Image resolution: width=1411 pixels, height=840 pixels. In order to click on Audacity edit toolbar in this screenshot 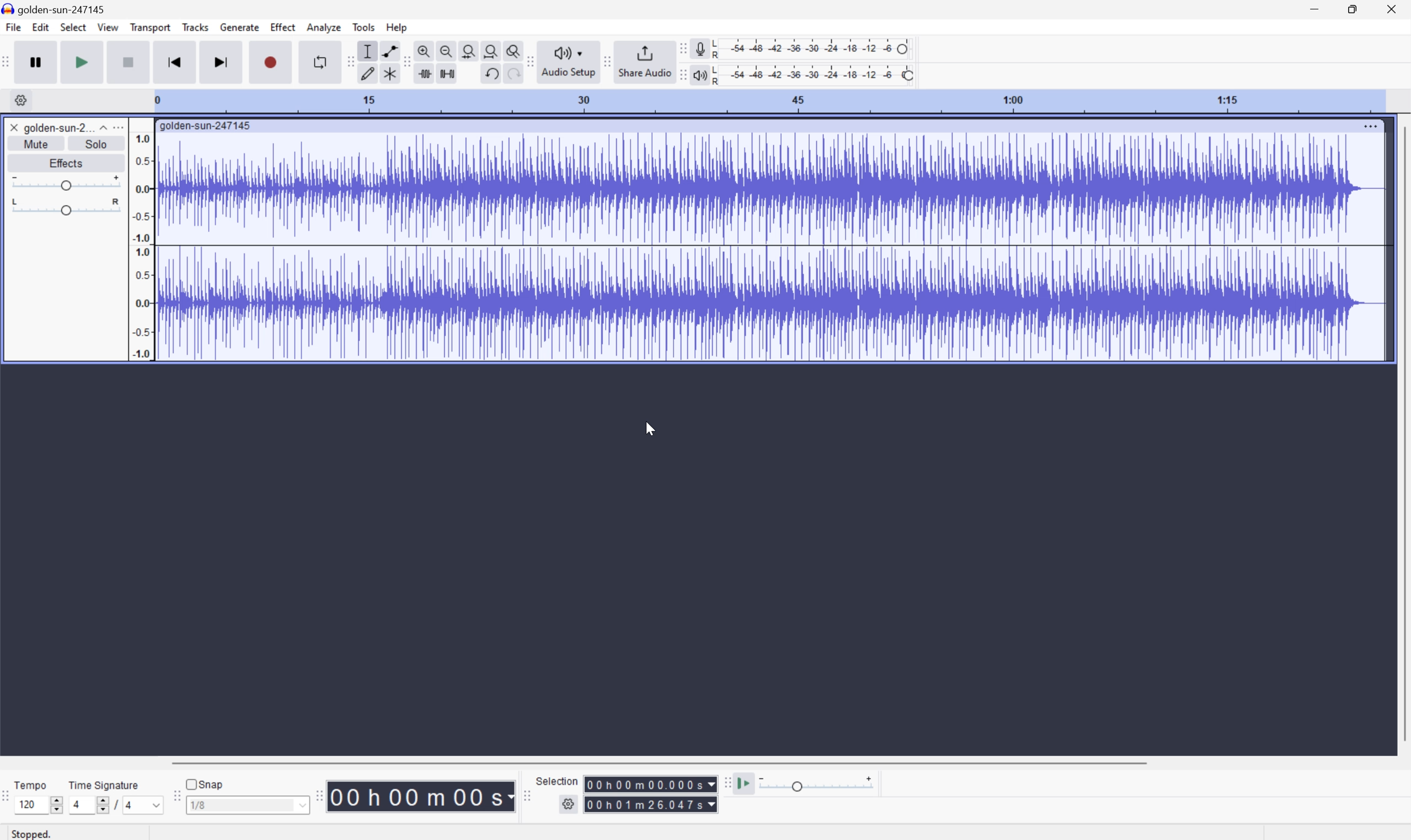, I will do `click(349, 61)`.